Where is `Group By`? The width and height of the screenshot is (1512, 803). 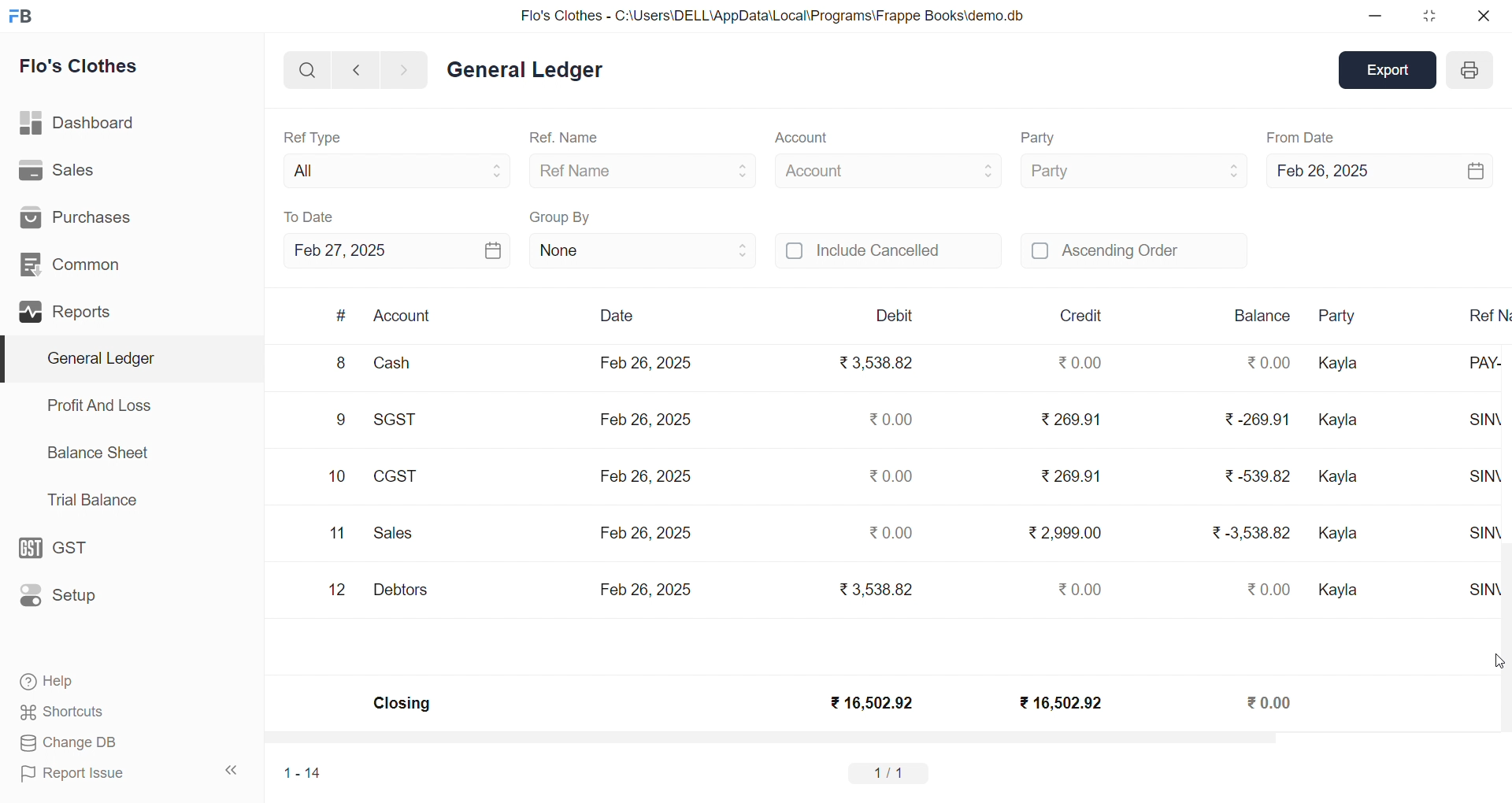 Group By is located at coordinates (561, 215).